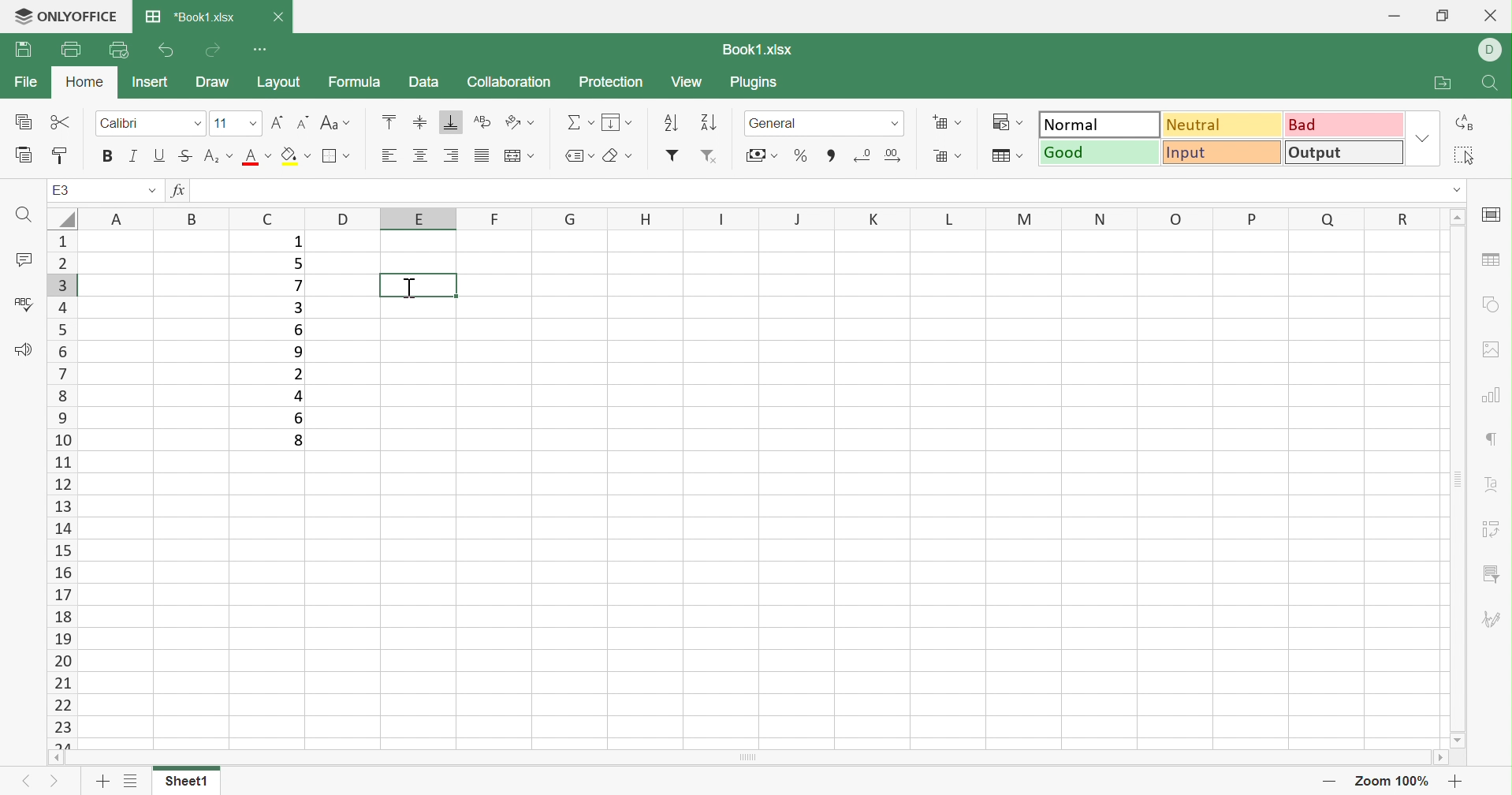  Describe the element at coordinates (669, 155) in the screenshot. I see `Filter` at that location.